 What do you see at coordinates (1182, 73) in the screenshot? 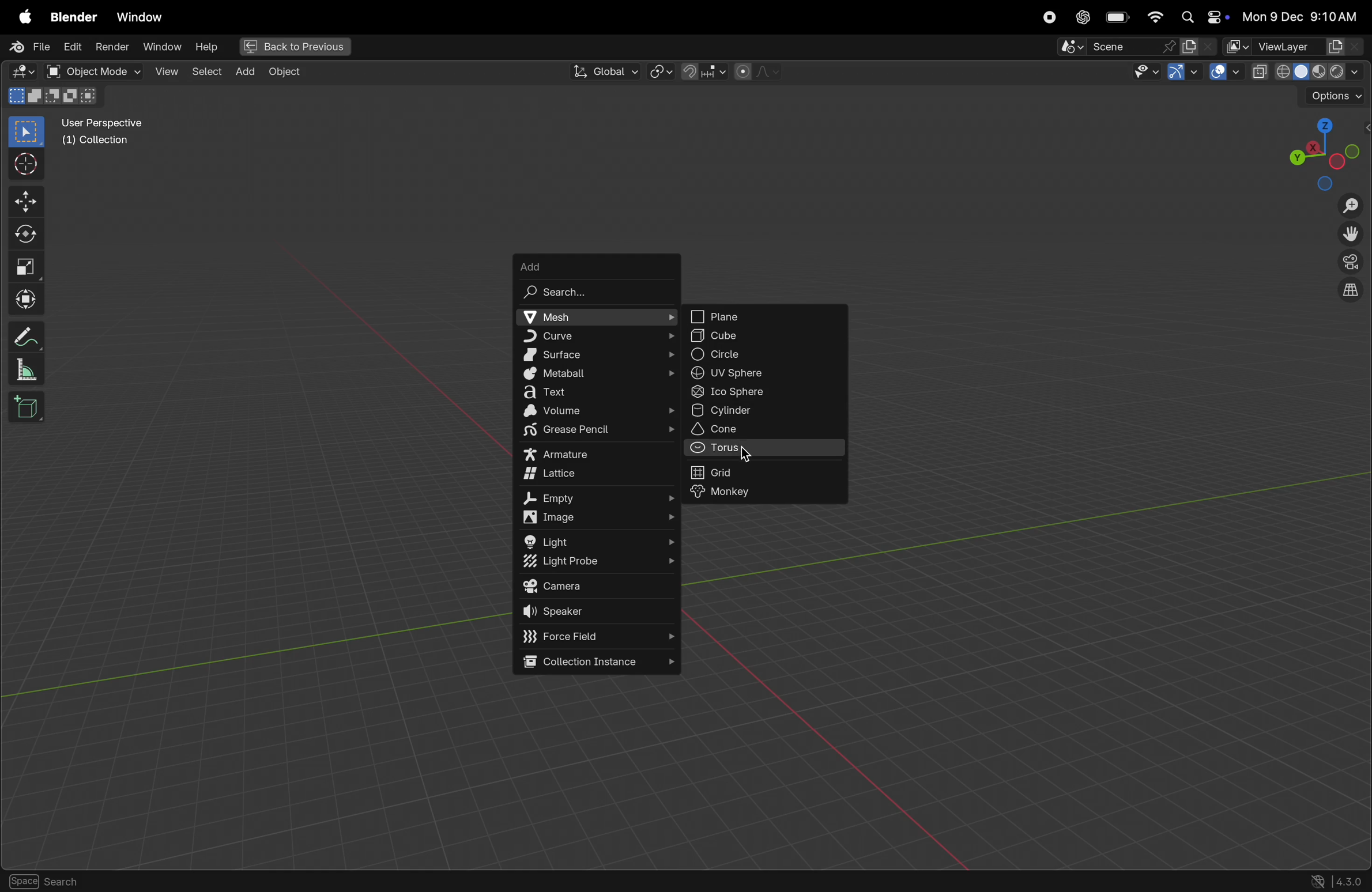
I see `Gimzos` at bounding box center [1182, 73].